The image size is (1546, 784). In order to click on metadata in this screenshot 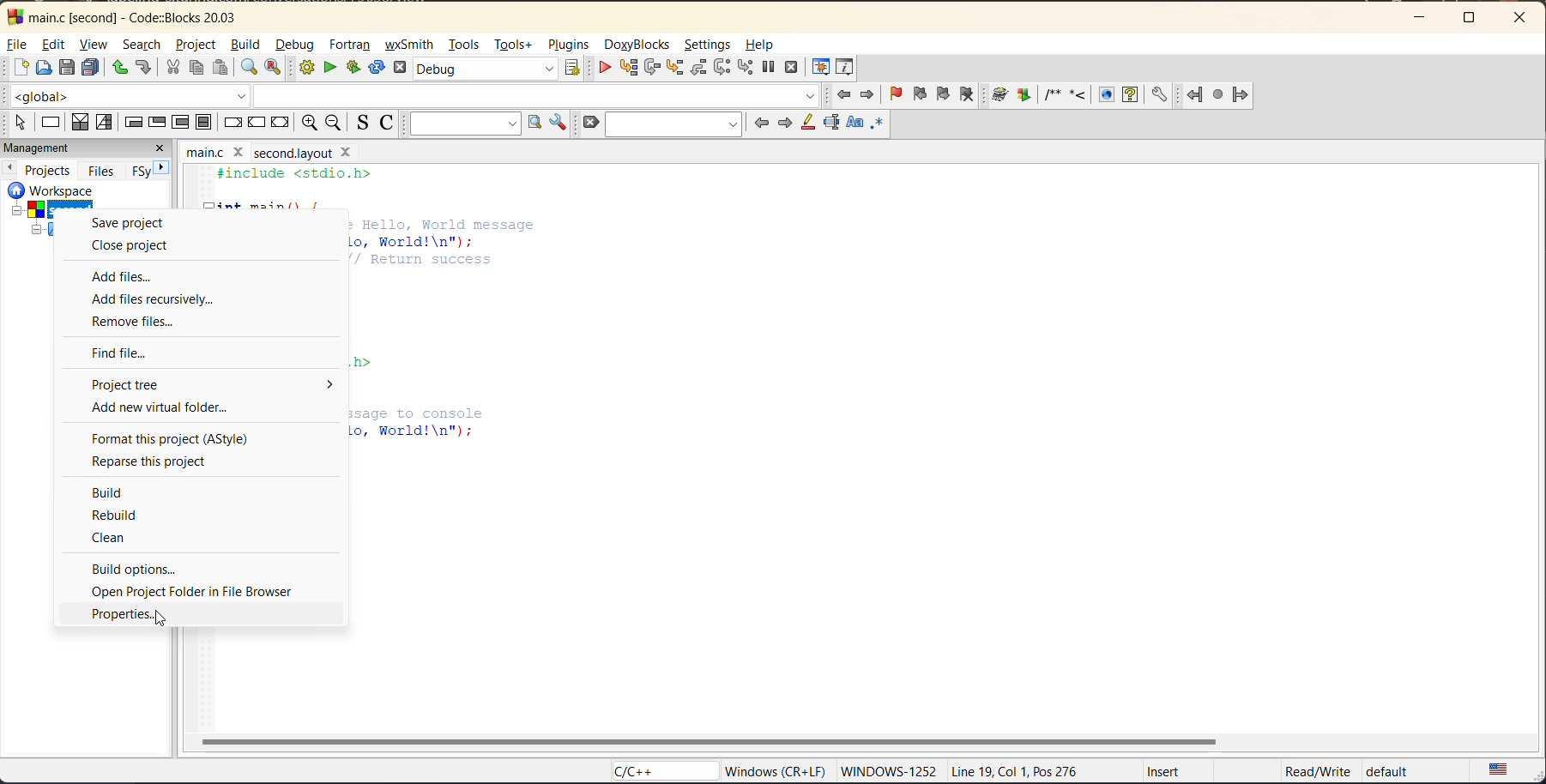, I will do `click(1070, 772)`.